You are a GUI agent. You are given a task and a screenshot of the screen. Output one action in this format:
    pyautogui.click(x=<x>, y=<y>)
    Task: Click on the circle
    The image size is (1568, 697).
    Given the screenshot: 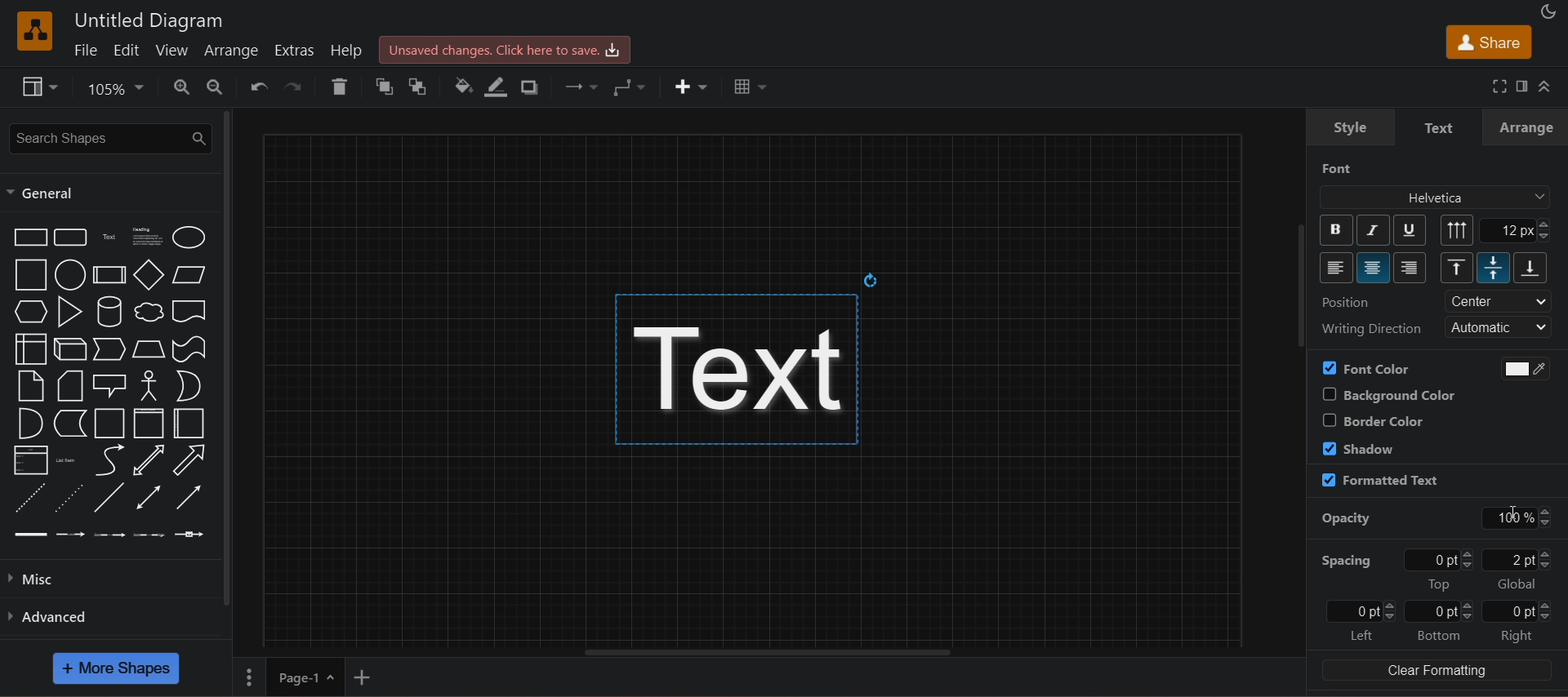 What is the action you would take?
    pyautogui.click(x=71, y=275)
    